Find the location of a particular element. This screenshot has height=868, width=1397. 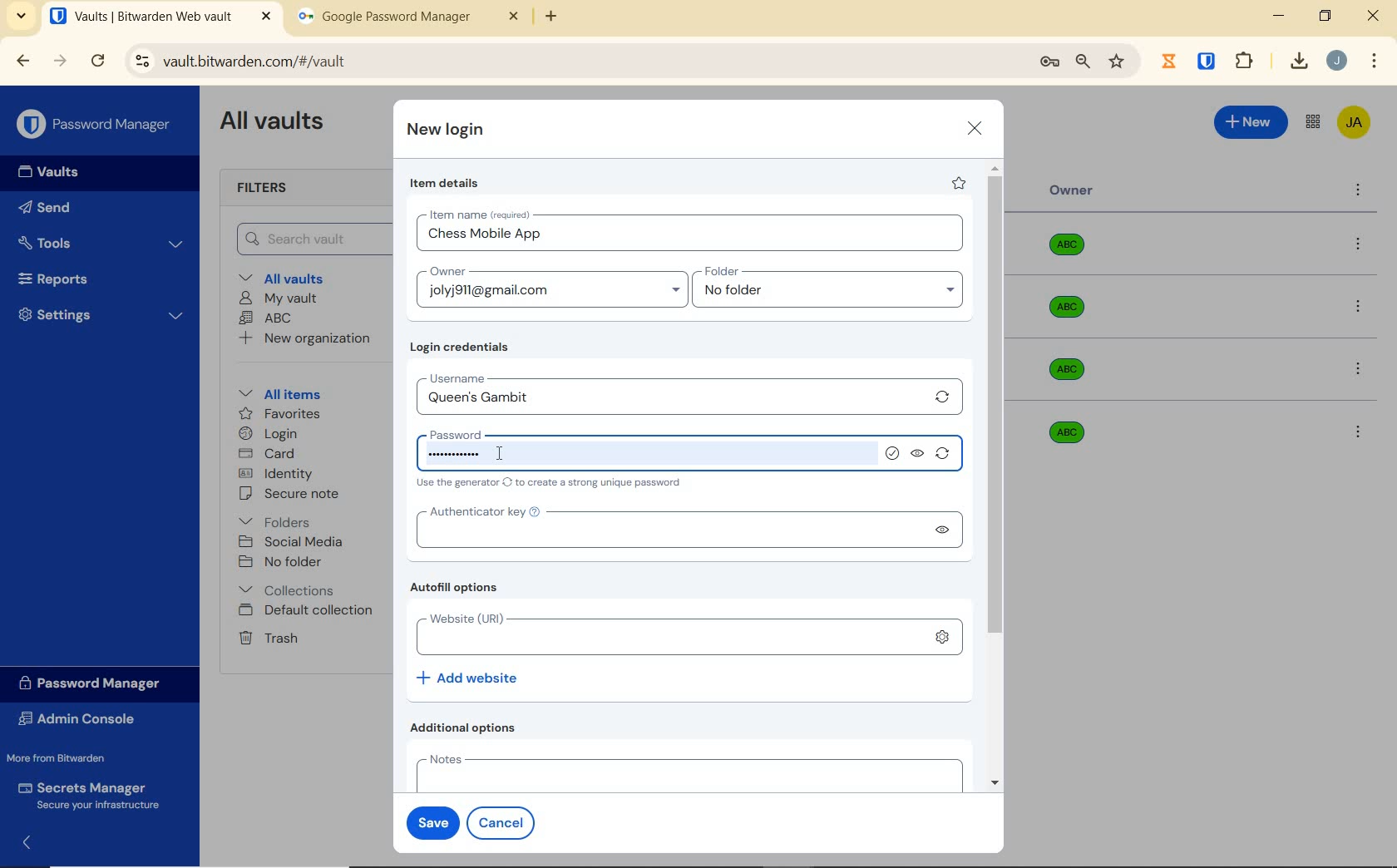

collection is located at coordinates (288, 590).